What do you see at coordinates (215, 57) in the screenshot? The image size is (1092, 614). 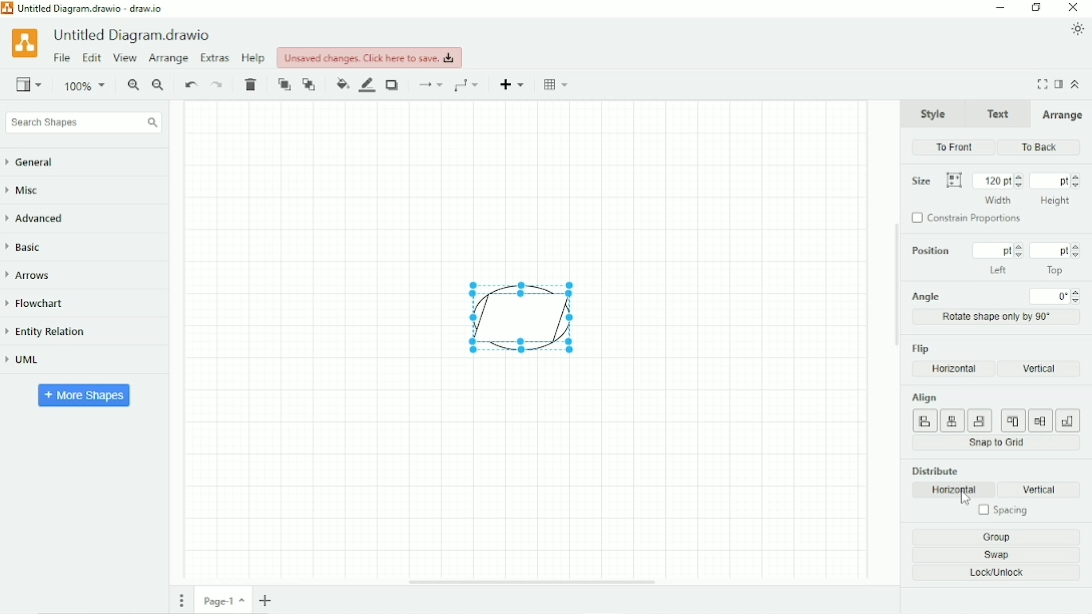 I see `Extras` at bounding box center [215, 57].